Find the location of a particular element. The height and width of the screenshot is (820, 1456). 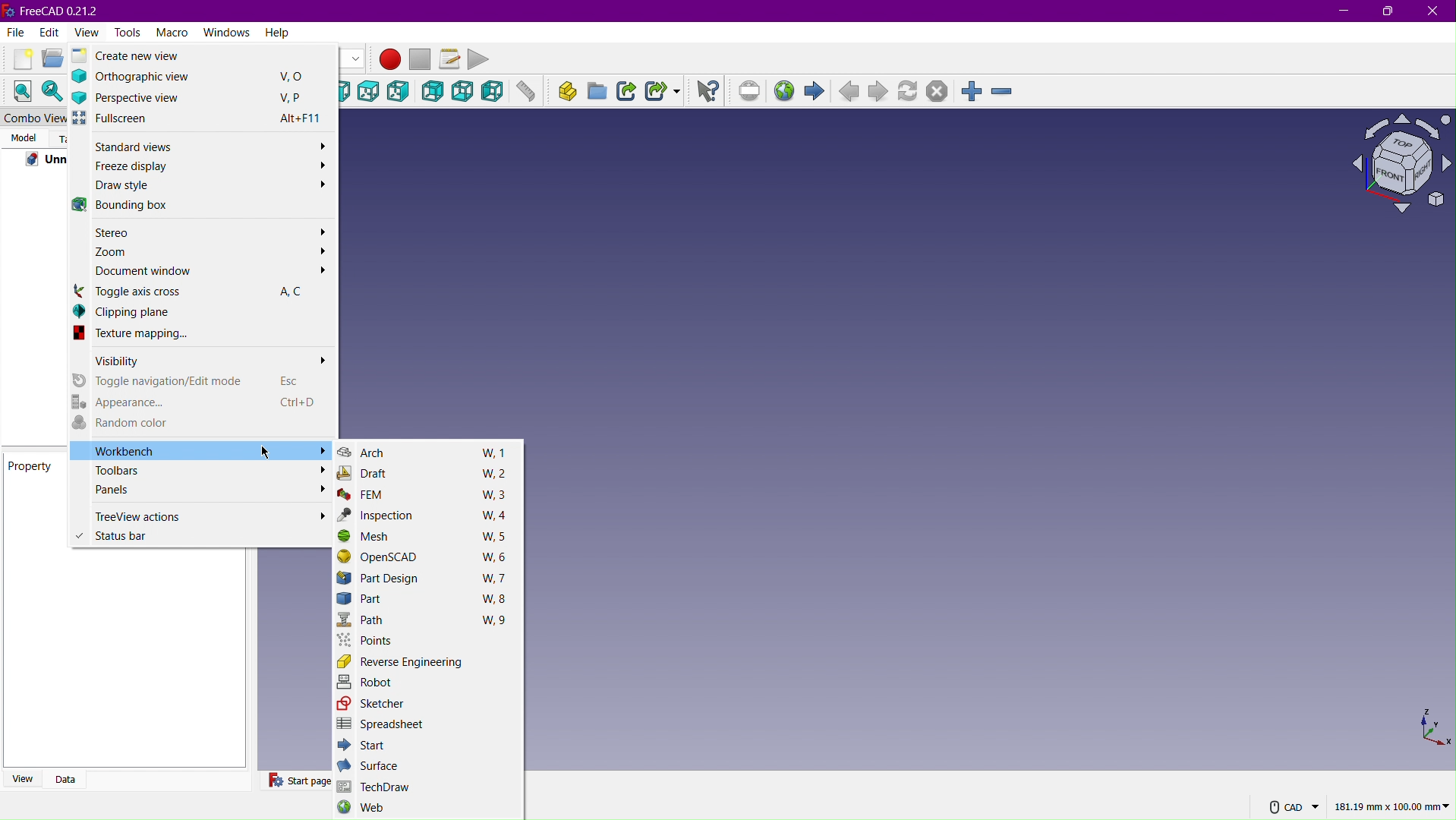

Minimize is located at coordinates (1343, 12).